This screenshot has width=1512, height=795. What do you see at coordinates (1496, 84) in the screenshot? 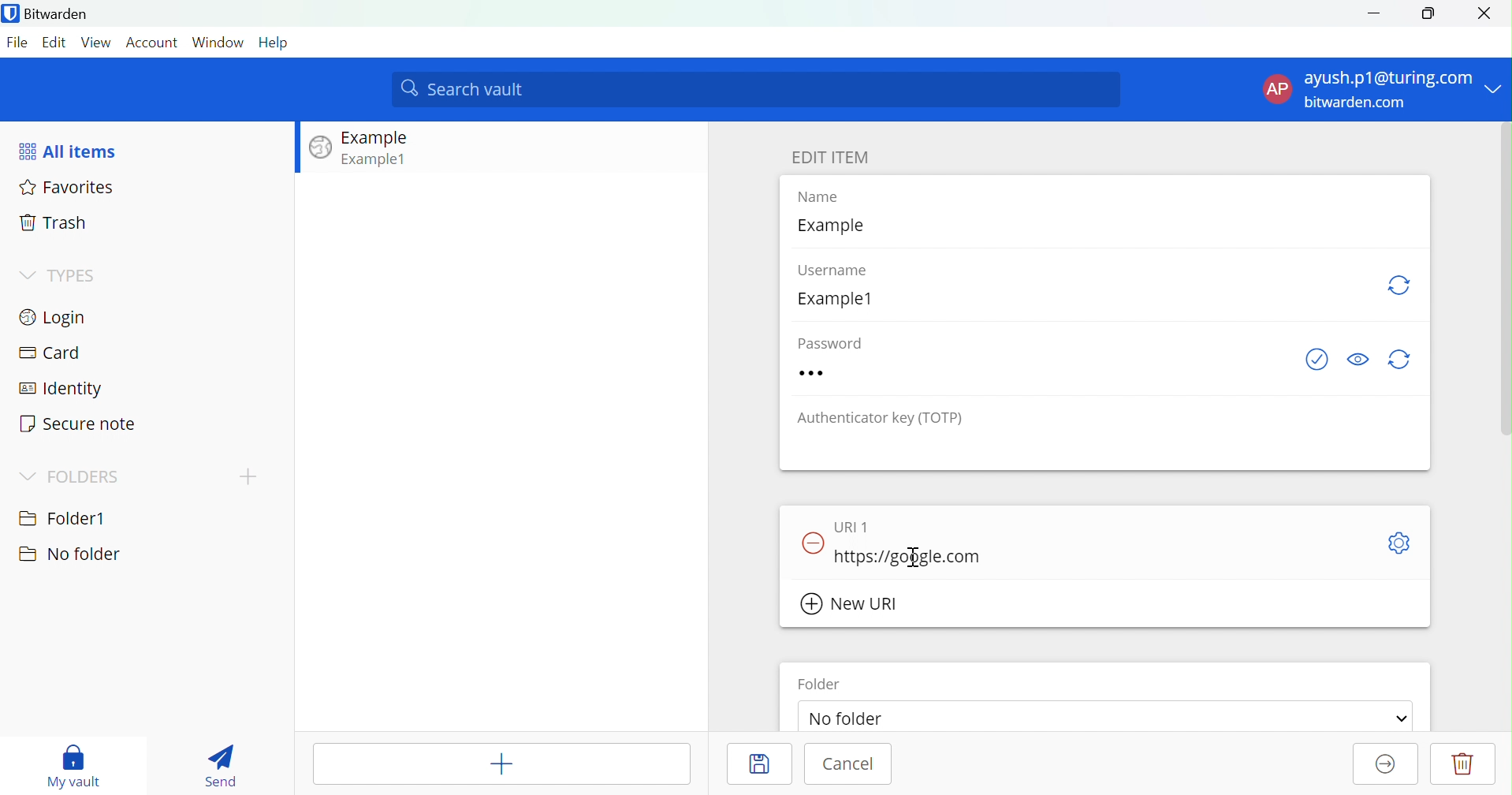
I see `Drop Down` at bounding box center [1496, 84].